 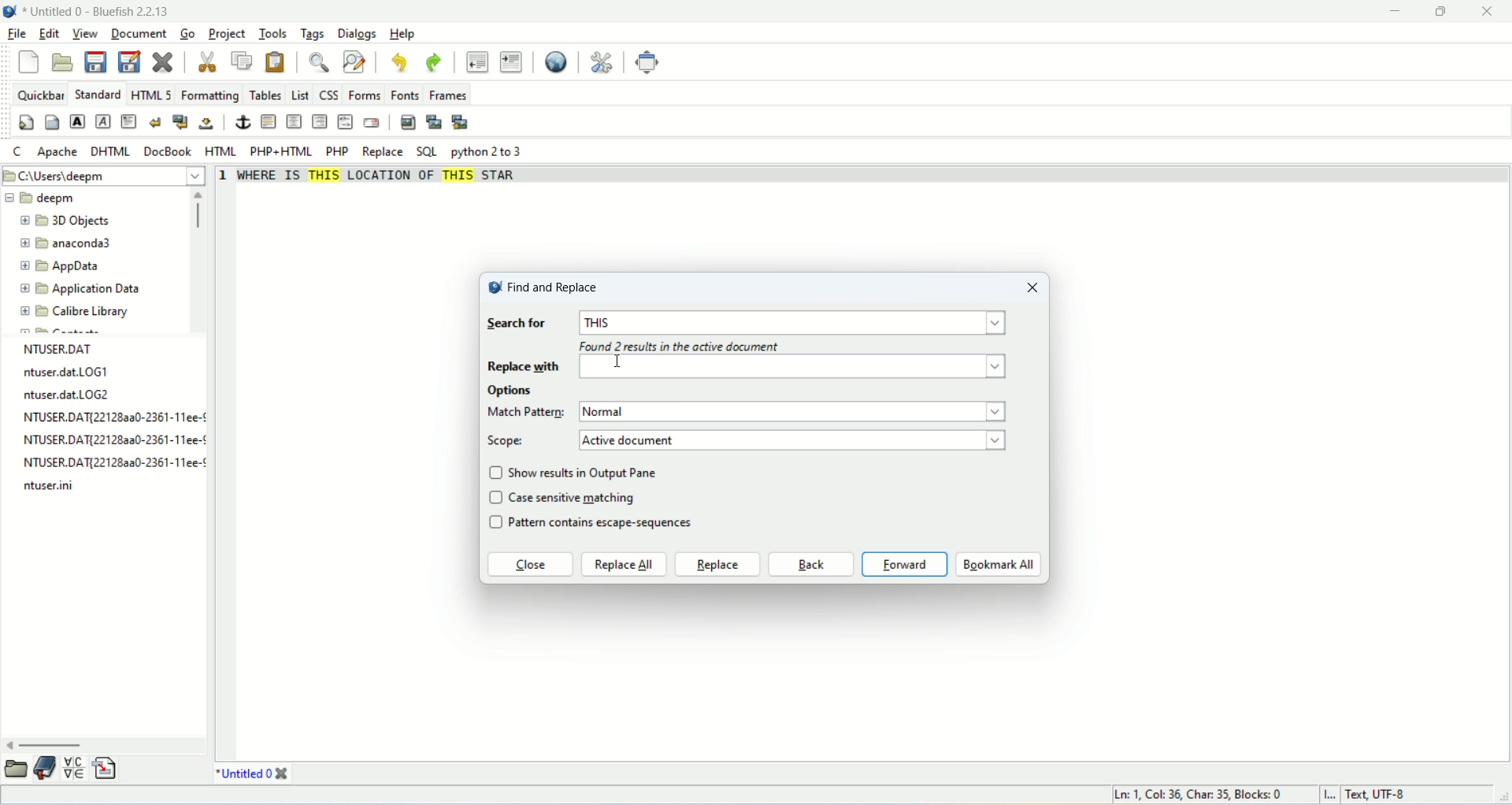 What do you see at coordinates (794, 440) in the screenshot?
I see `active document` at bounding box center [794, 440].